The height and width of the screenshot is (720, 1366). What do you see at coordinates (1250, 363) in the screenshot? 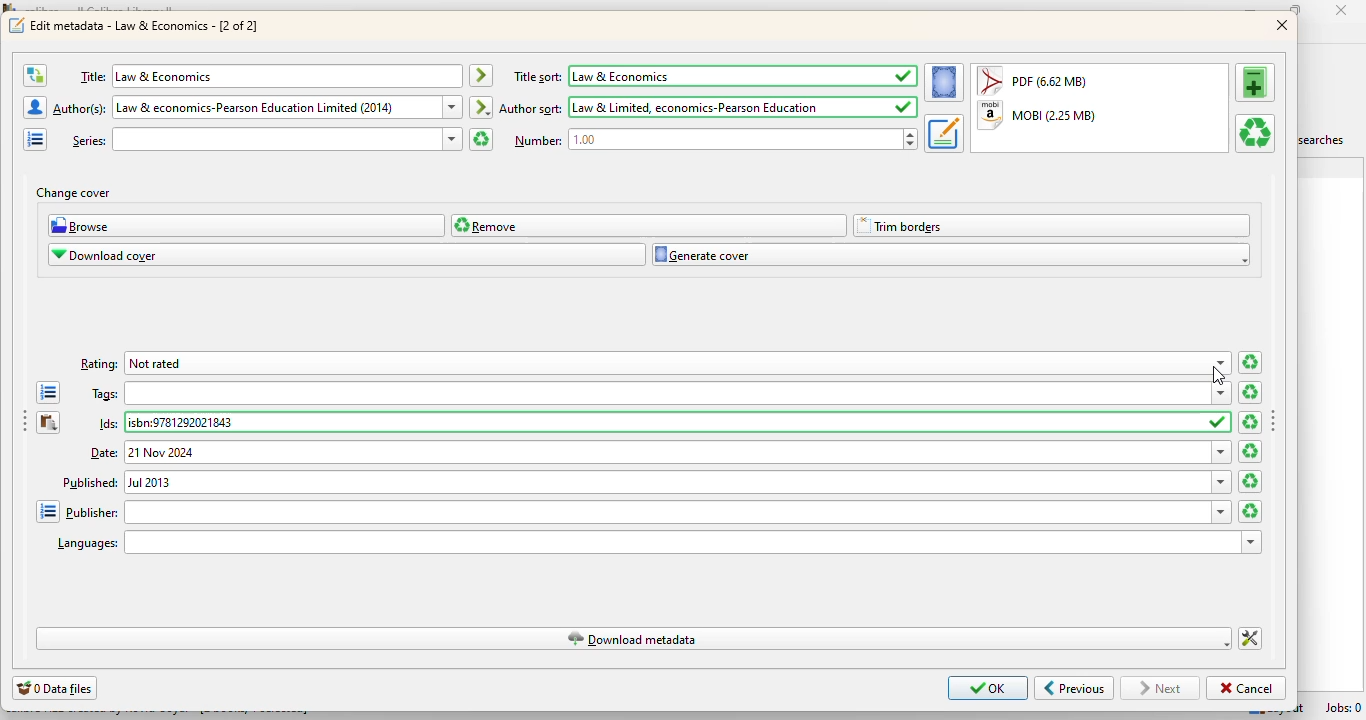
I see `clear ratings` at bounding box center [1250, 363].